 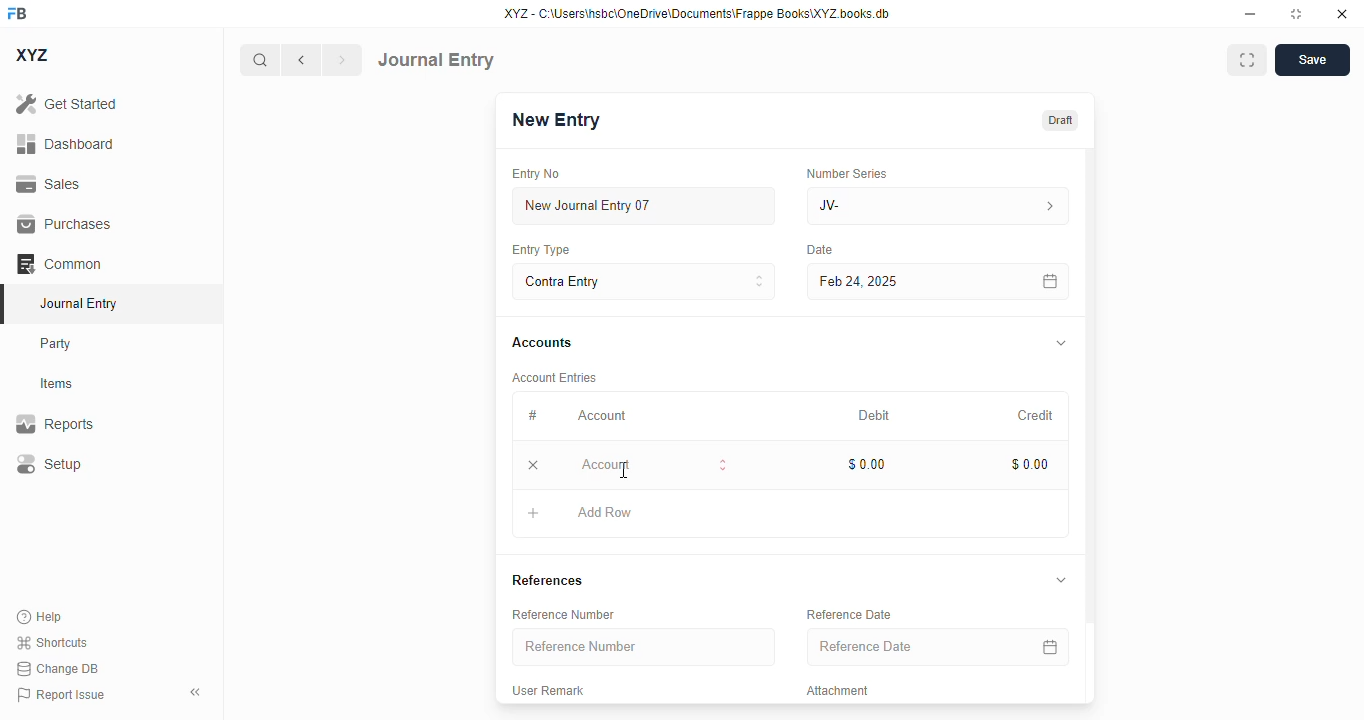 I want to click on setup, so click(x=49, y=463).